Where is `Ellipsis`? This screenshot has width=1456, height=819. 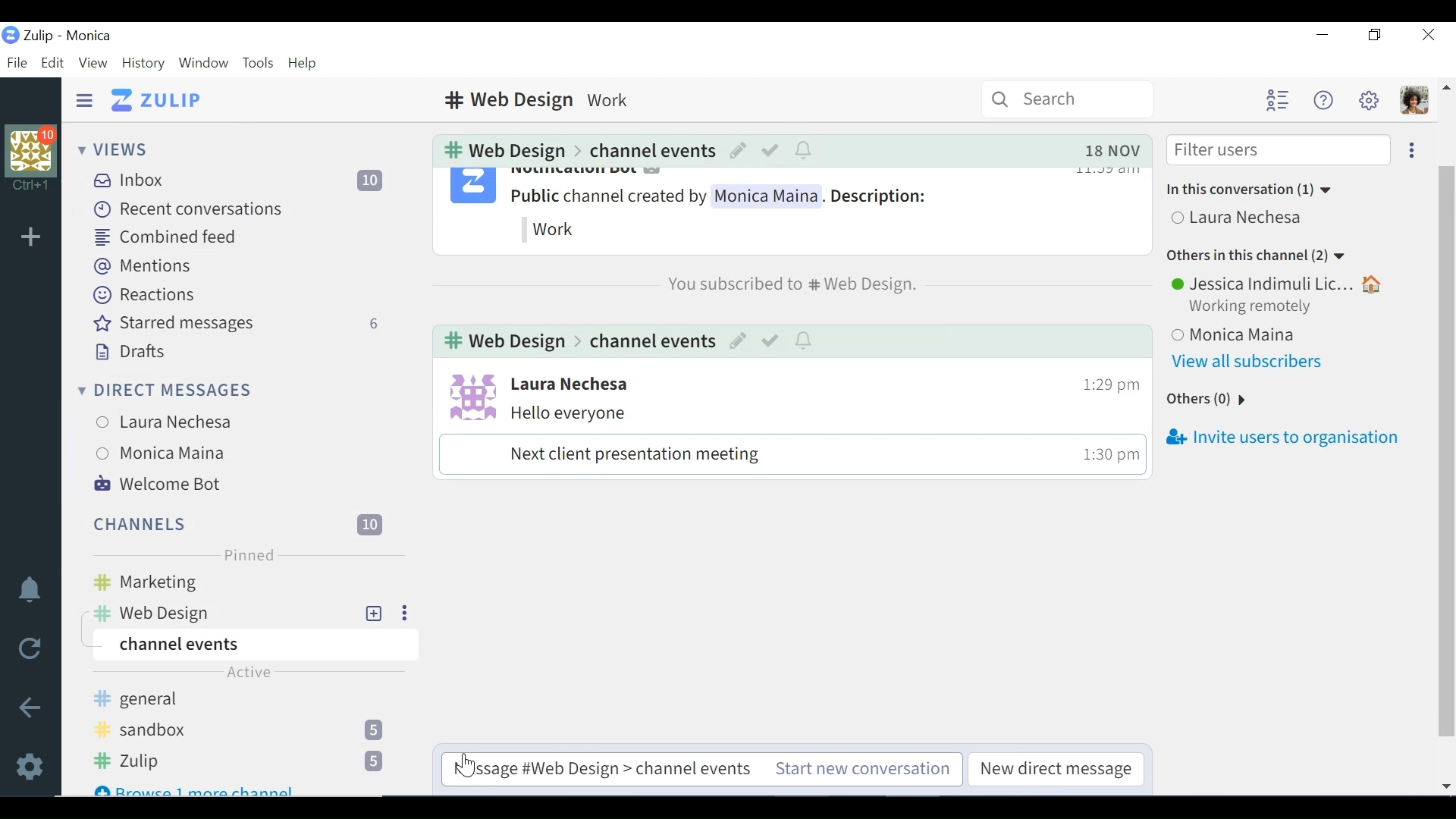 Ellipsis is located at coordinates (402, 613).